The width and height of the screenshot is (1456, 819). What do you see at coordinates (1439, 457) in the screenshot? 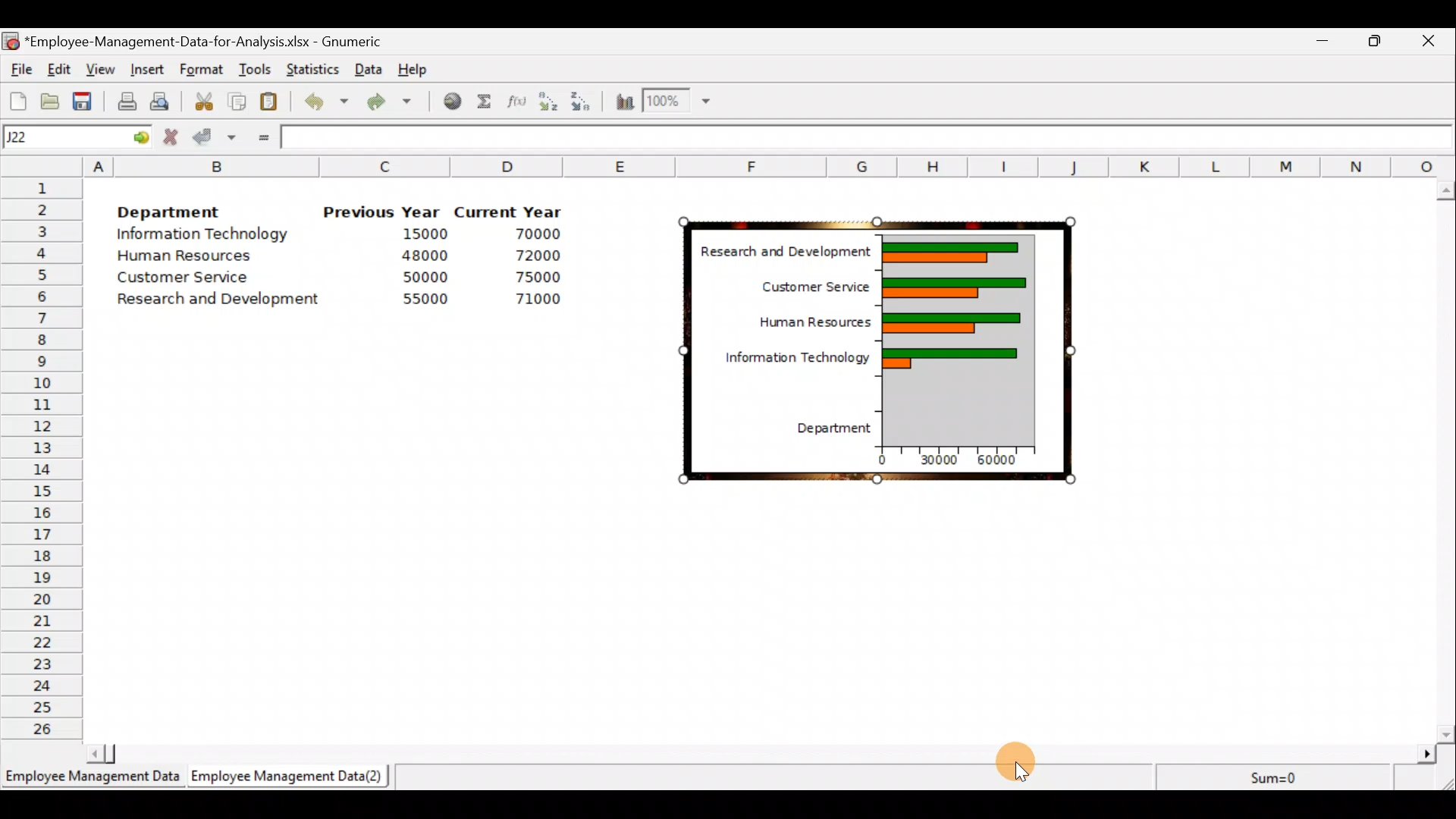
I see `Scroll bar` at bounding box center [1439, 457].